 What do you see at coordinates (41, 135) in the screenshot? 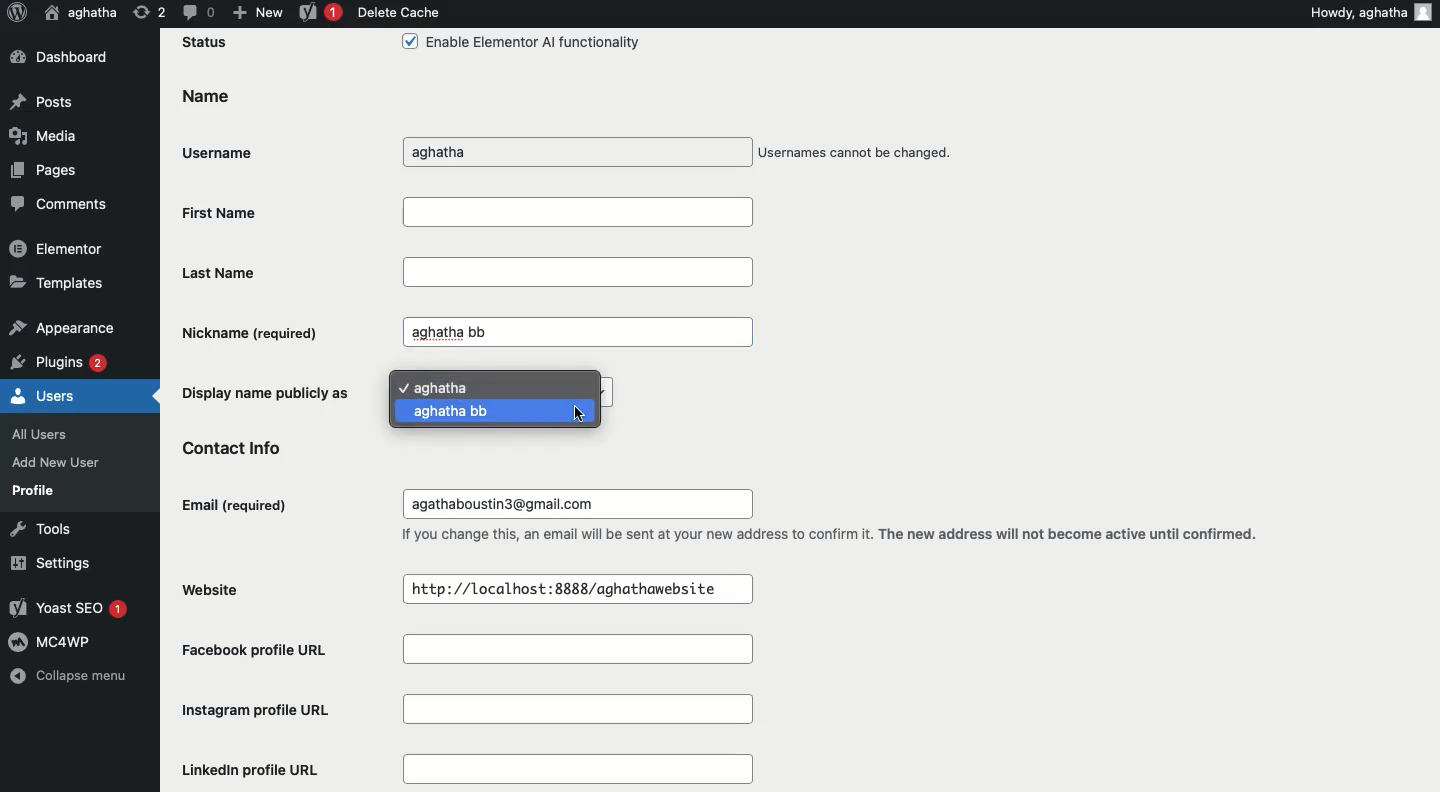
I see `Media` at bounding box center [41, 135].